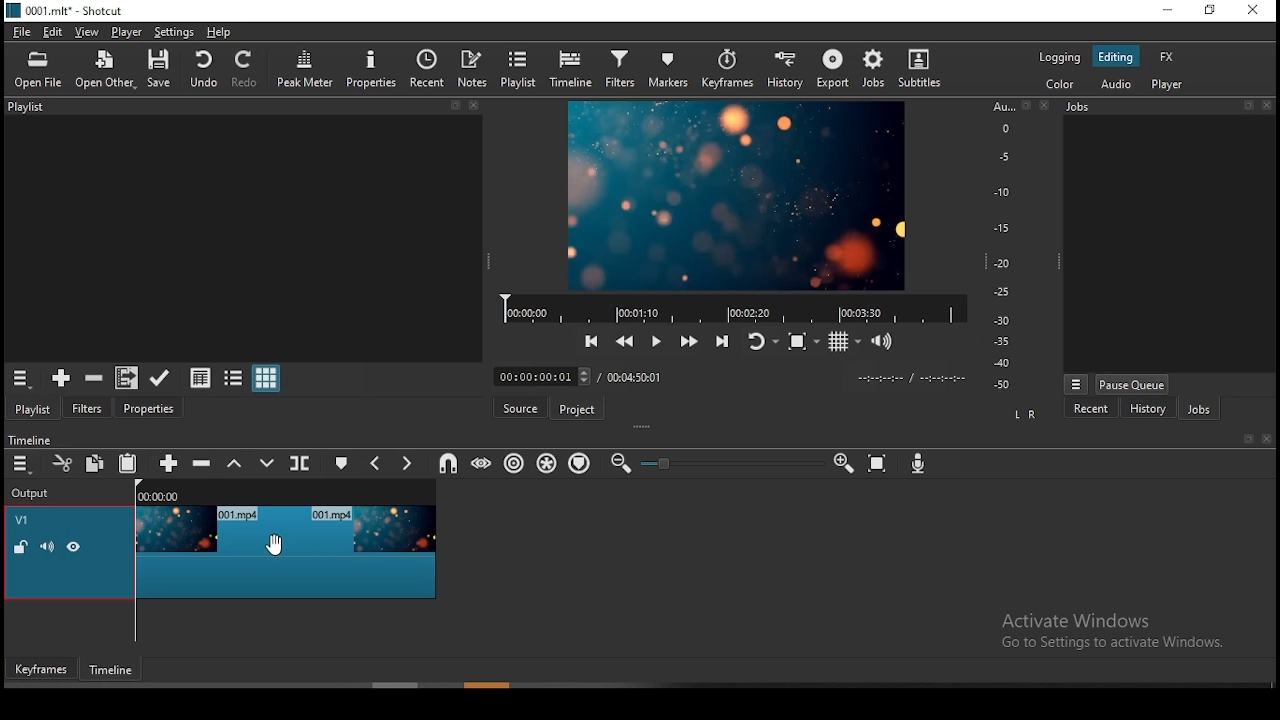 This screenshot has height=720, width=1280. What do you see at coordinates (1211, 9) in the screenshot?
I see `restore` at bounding box center [1211, 9].